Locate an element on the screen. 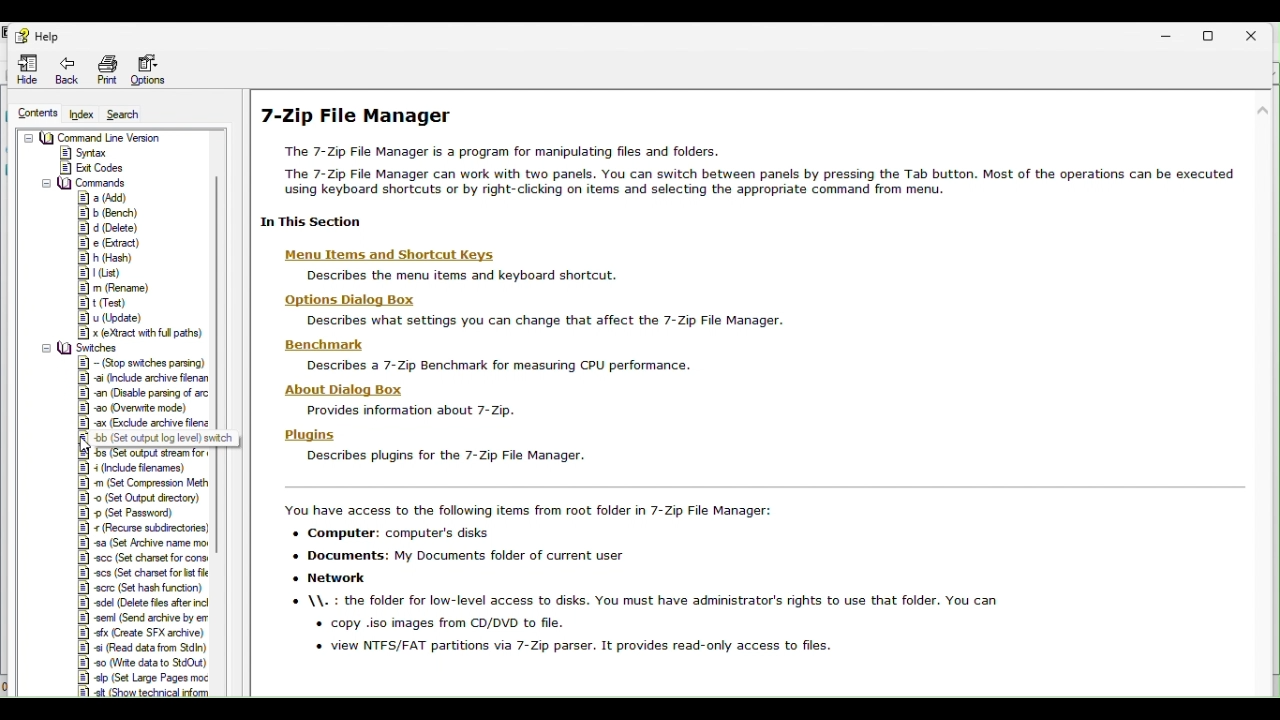  |&] scrc (Set hash function) is located at coordinates (139, 588).